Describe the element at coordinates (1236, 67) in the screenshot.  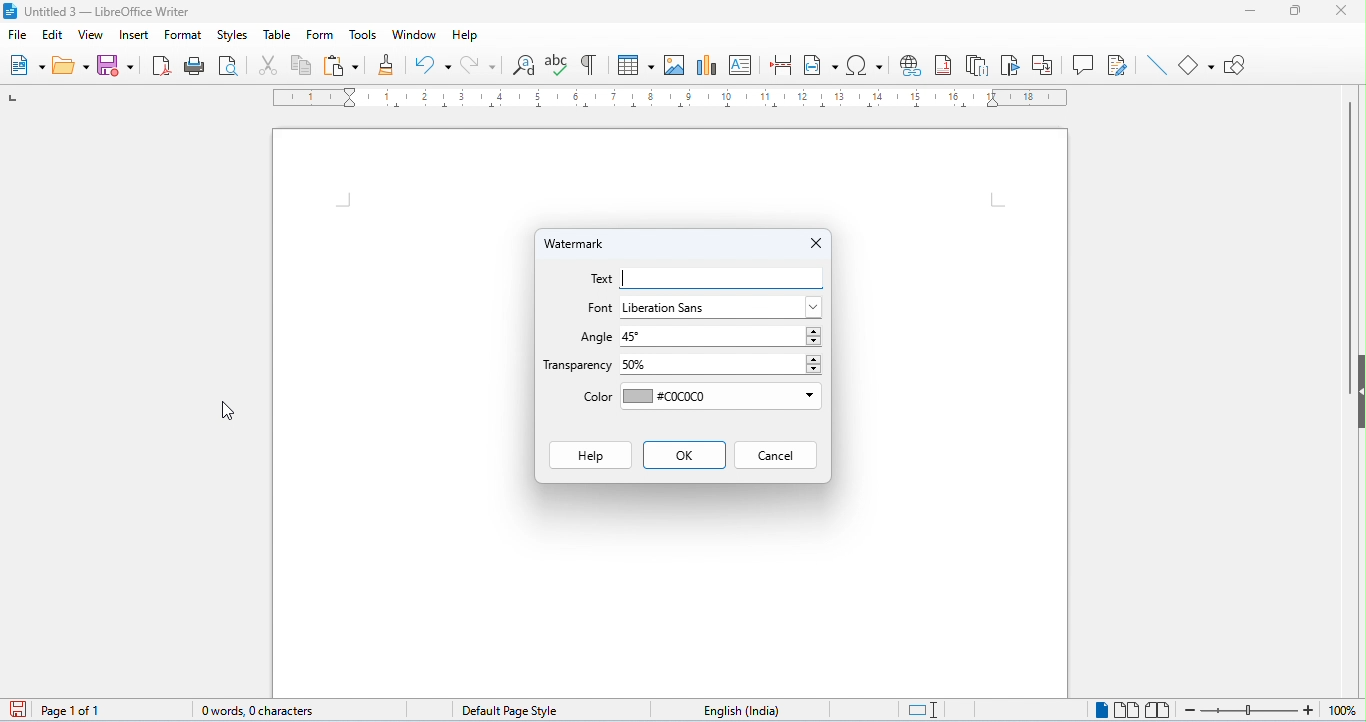
I see `show draw functions` at that location.